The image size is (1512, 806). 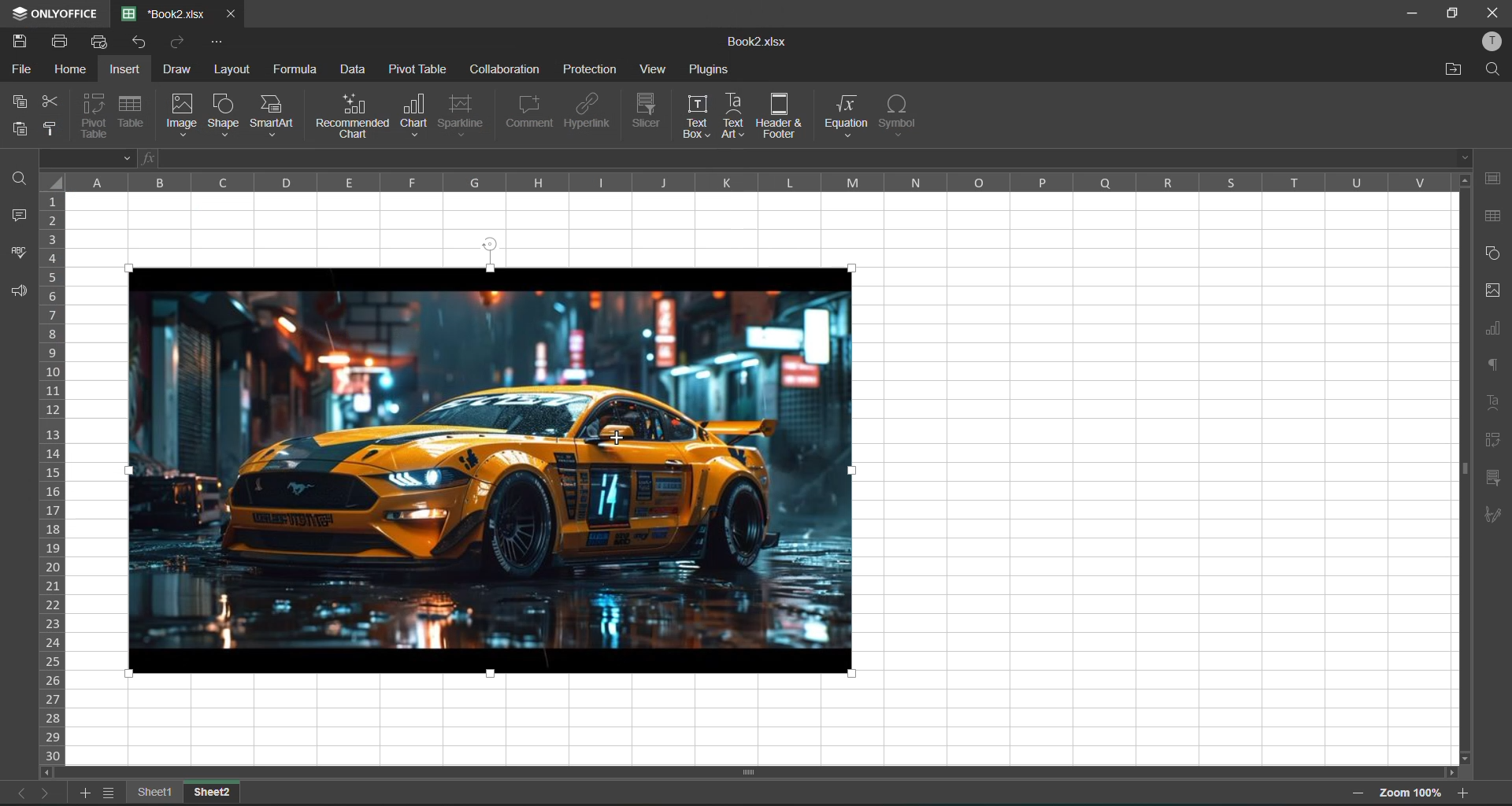 I want to click on sheet2, so click(x=213, y=790).